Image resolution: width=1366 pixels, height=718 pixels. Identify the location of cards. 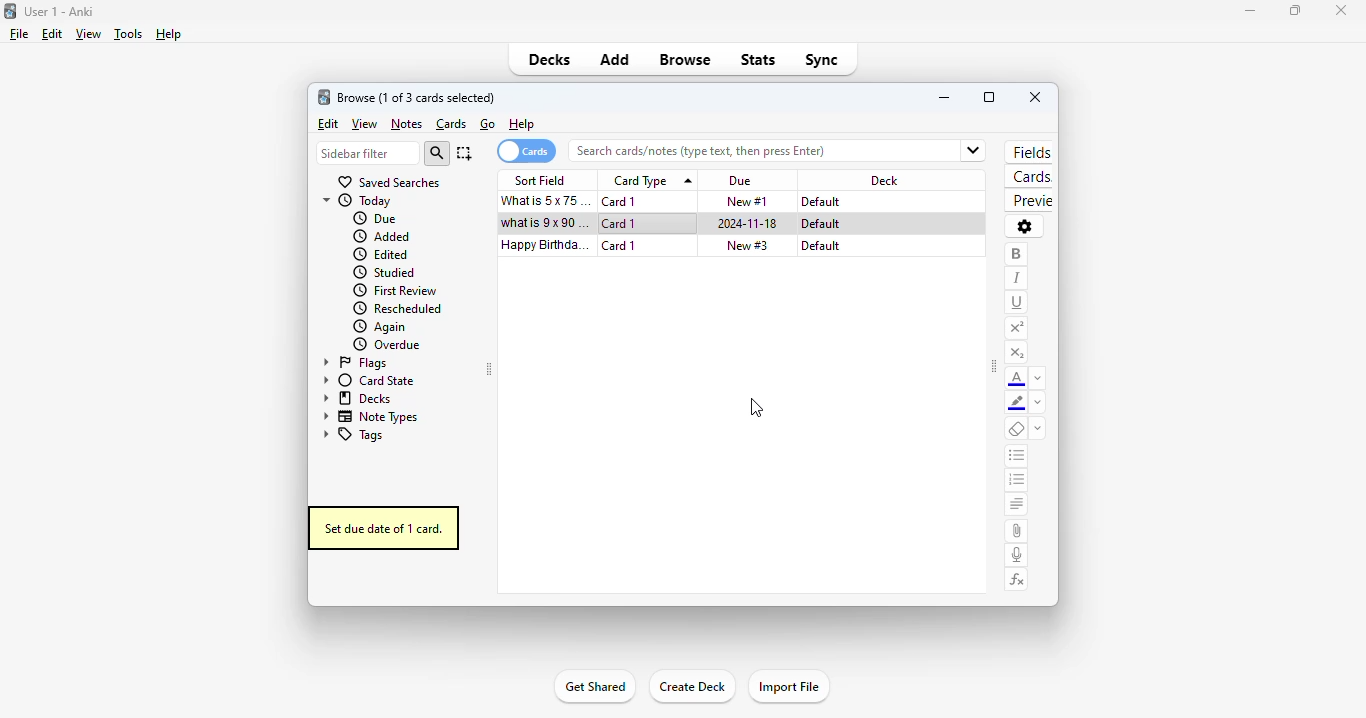
(525, 151).